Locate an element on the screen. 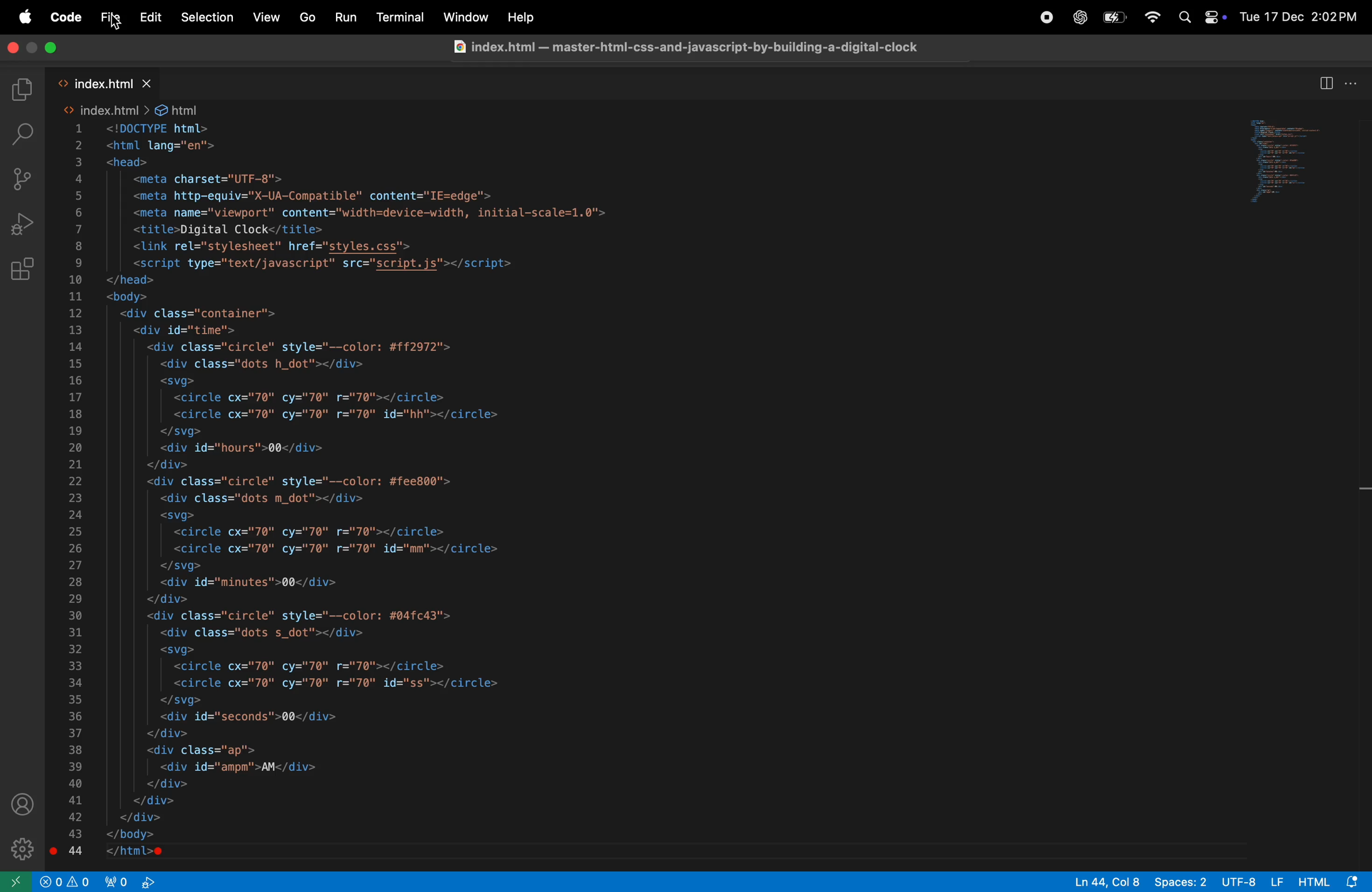 This screenshot has height=892, width=1372. code window is located at coordinates (1281, 164).